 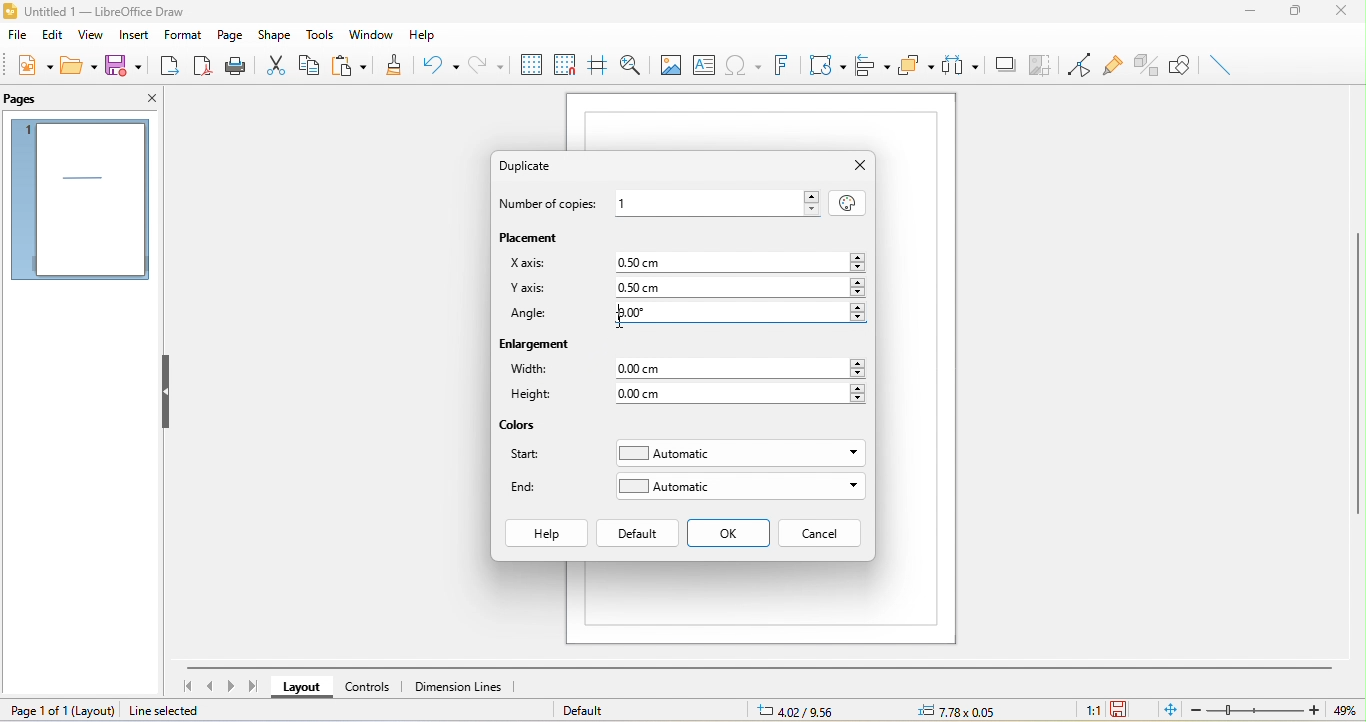 What do you see at coordinates (1250, 15) in the screenshot?
I see `minimize` at bounding box center [1250, 15].